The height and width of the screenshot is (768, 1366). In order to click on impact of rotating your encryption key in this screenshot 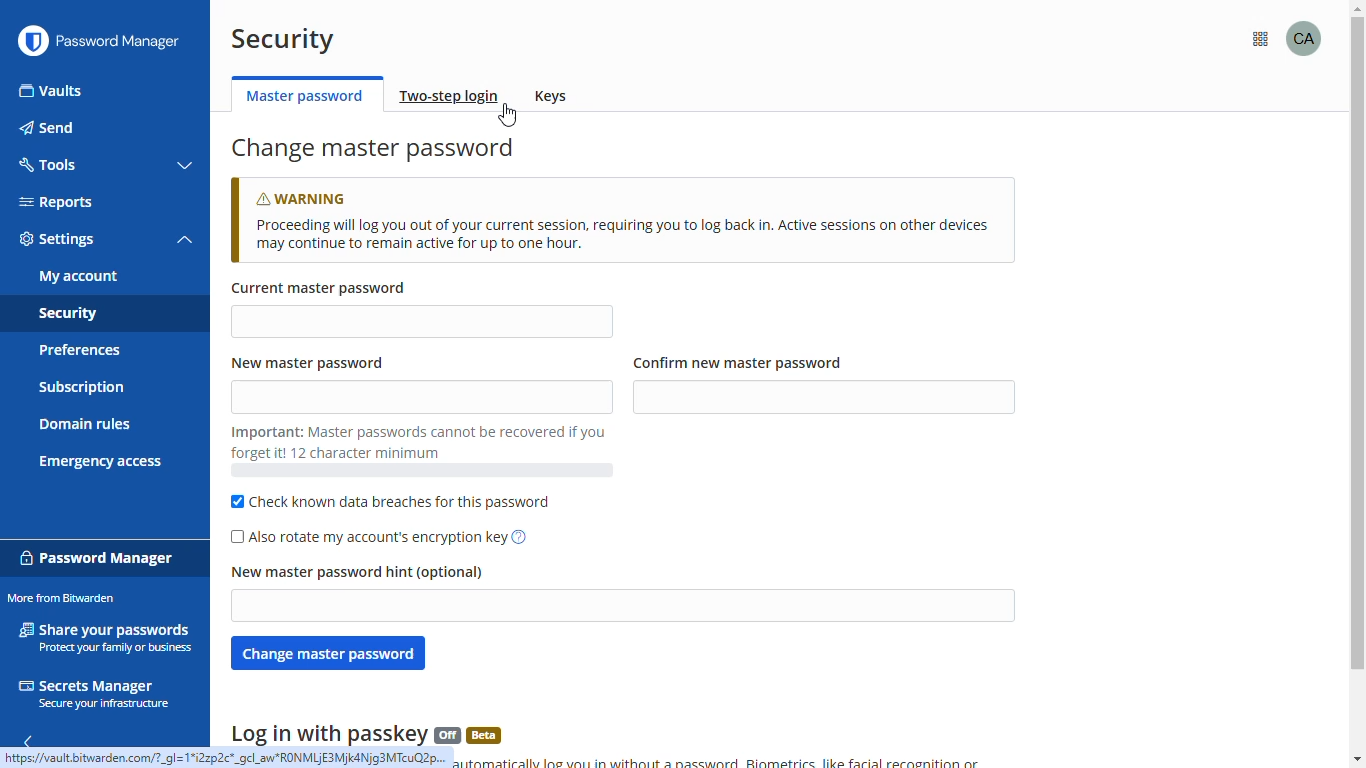, I will do `click(520, 538)`.